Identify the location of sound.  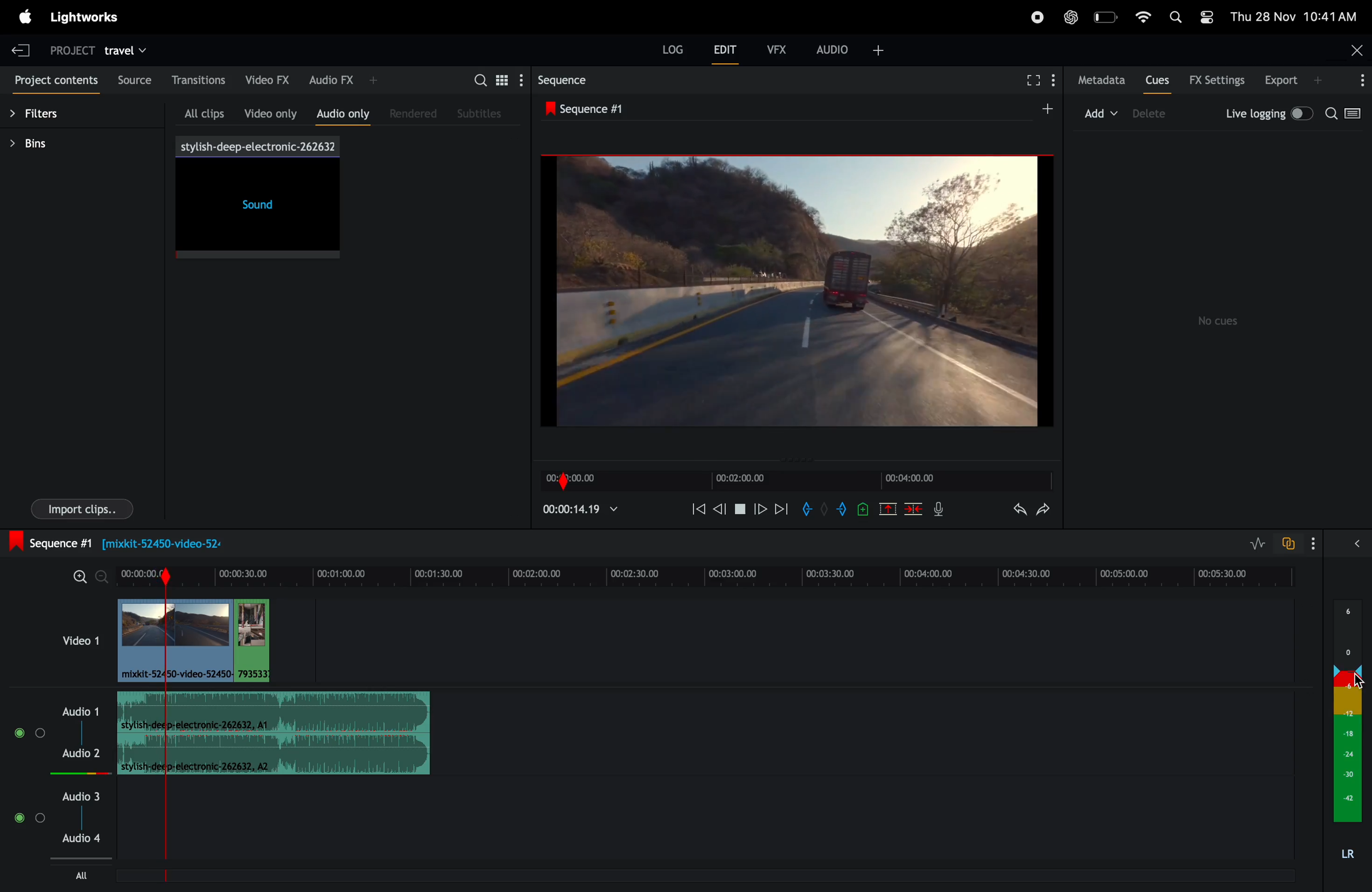
(254, 210).